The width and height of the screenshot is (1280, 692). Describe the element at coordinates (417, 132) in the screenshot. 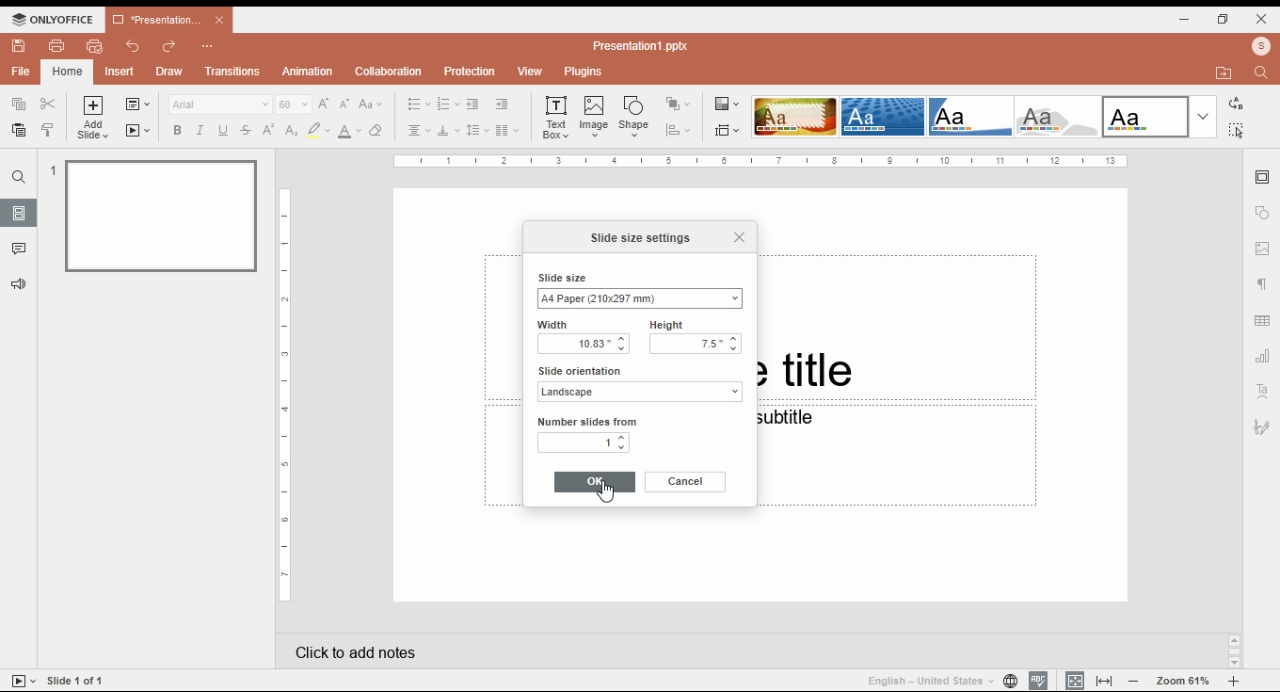

I see `horizontal alignment` at that location.